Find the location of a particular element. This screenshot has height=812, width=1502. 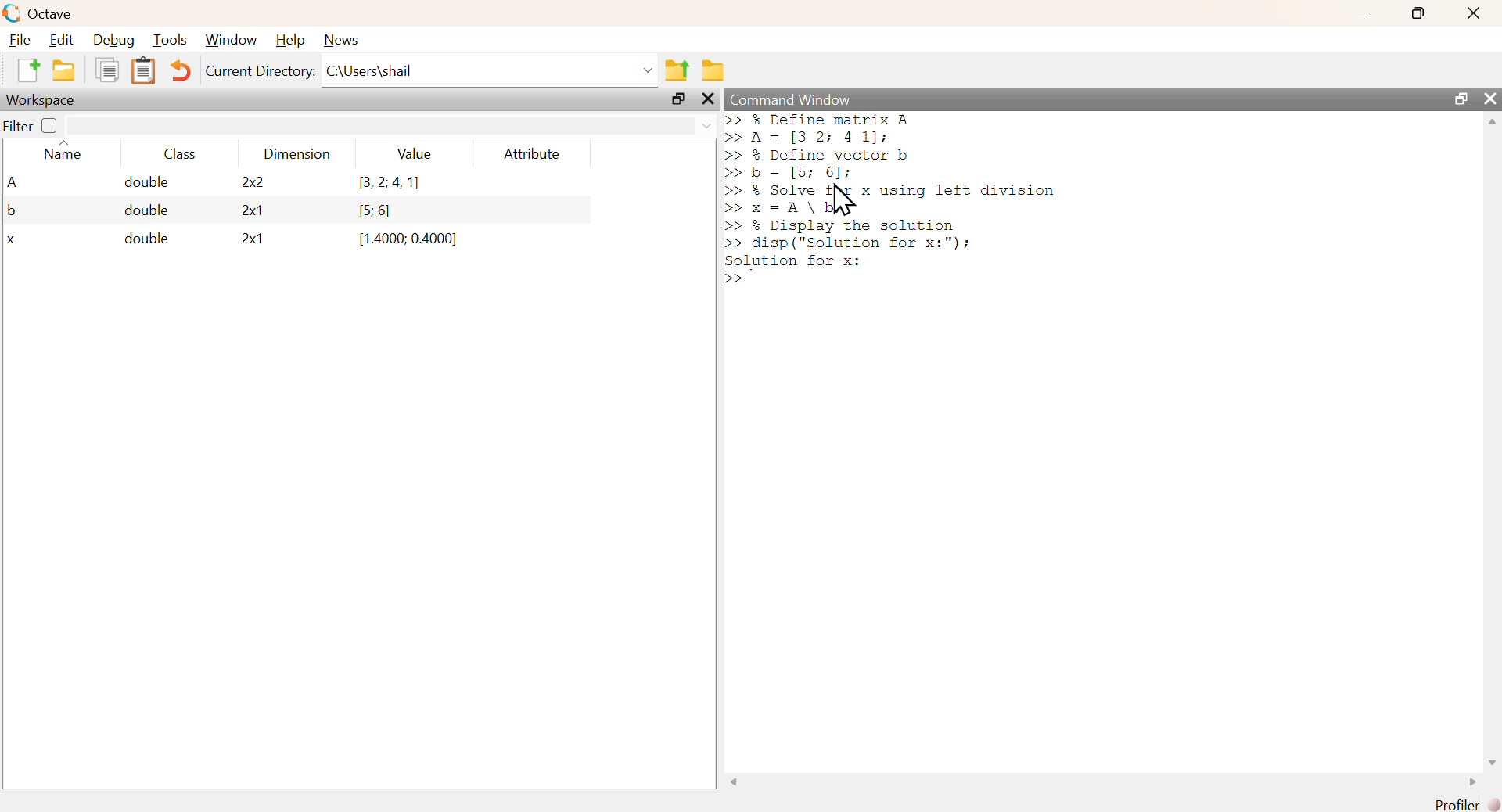

current directory is located at coordinates (260, 73).